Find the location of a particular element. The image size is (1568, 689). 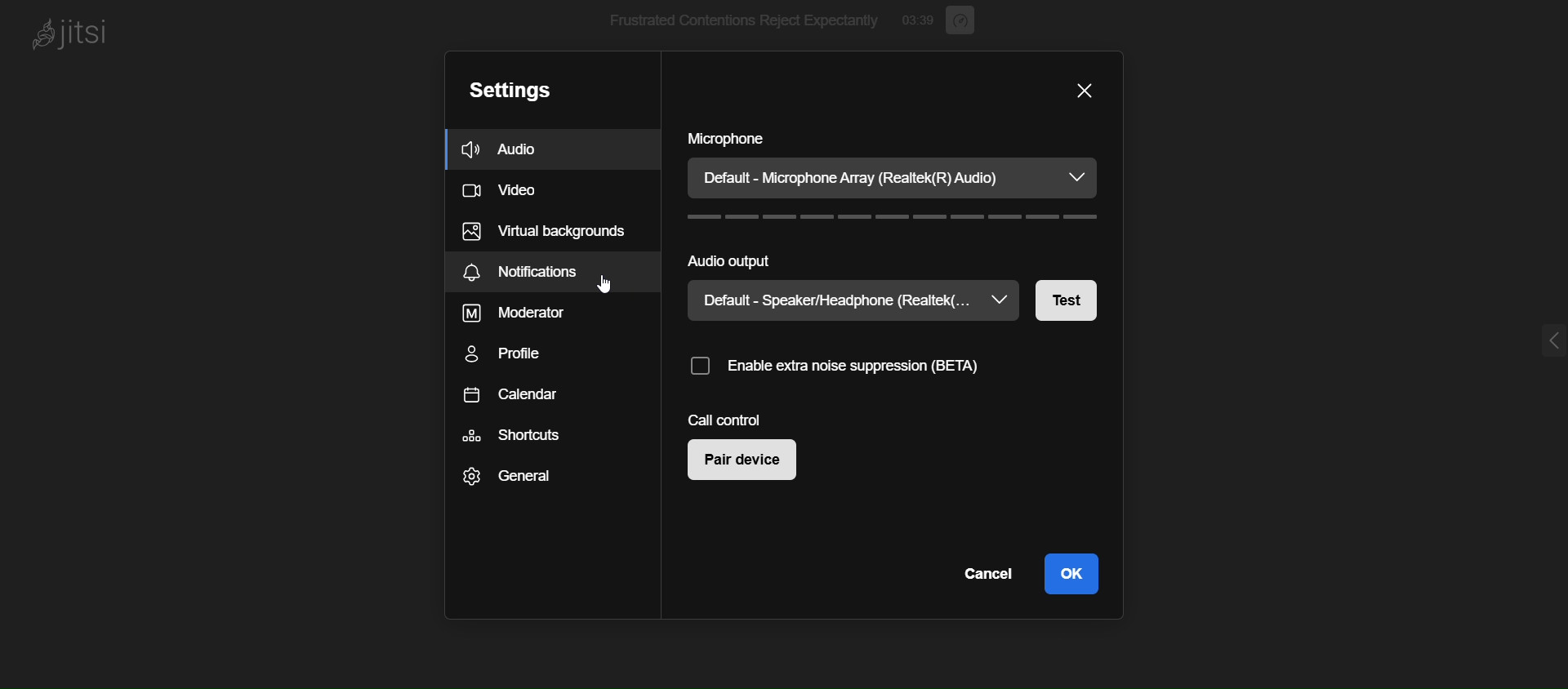

settings is located at coordinates (516, 88).